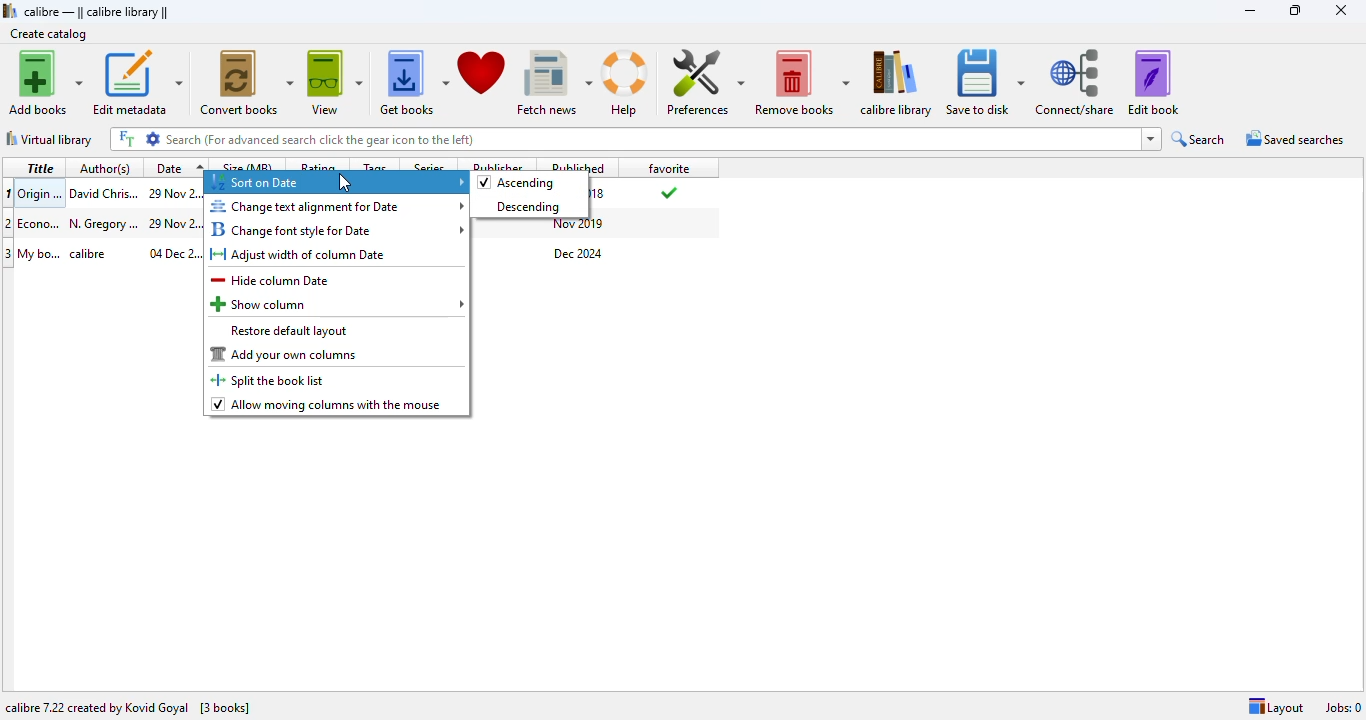 The height and width of the screenshot is (720, 1366). What do you see at coordinates (47, 83) in the screenshot?
I see `add books` at bounding box center [47, 83].